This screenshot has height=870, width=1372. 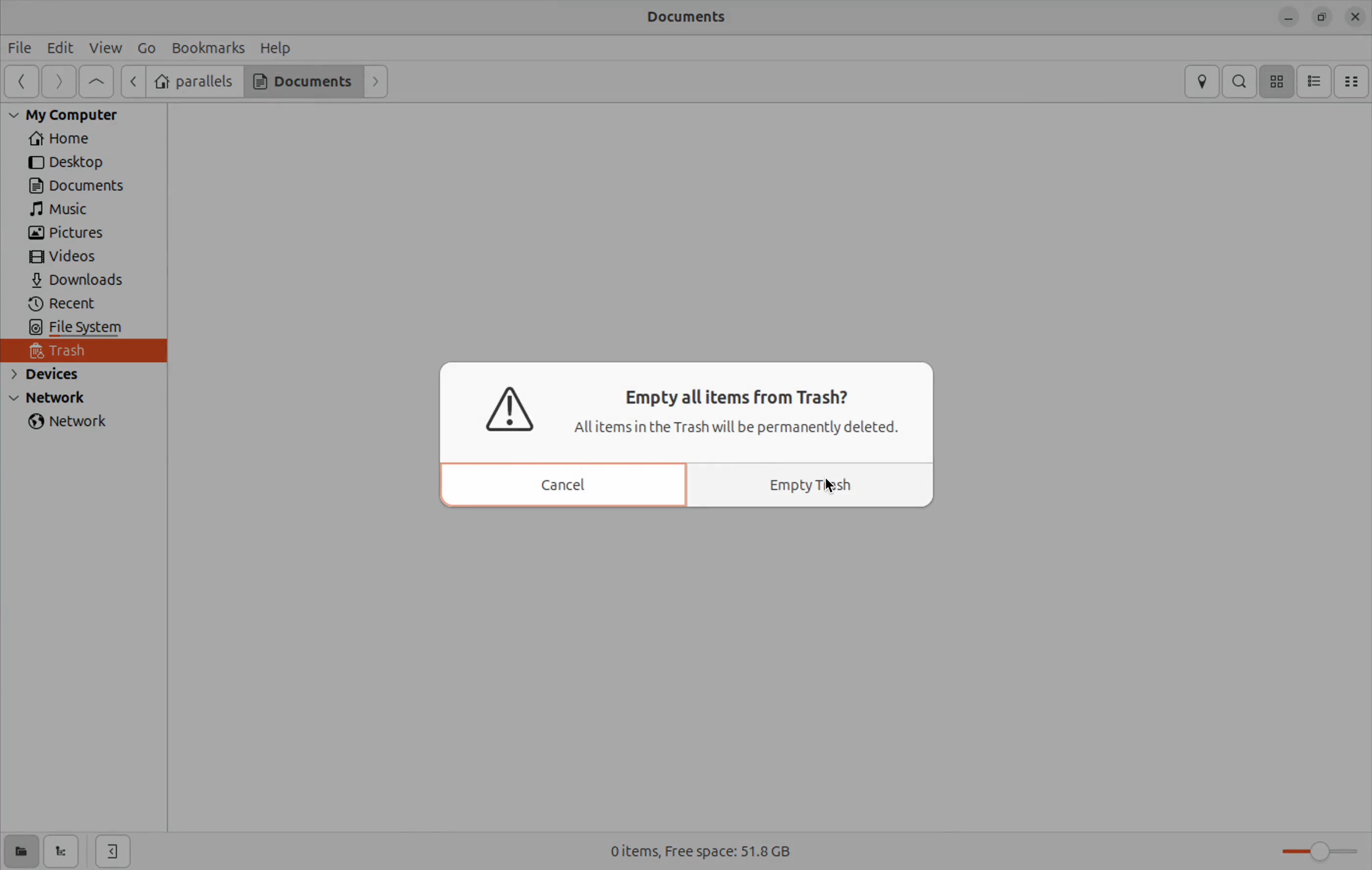 What do you see at coordinates (1288, 18) in the screenshot?
I see `minimize` at bounding box center [1288, 18].